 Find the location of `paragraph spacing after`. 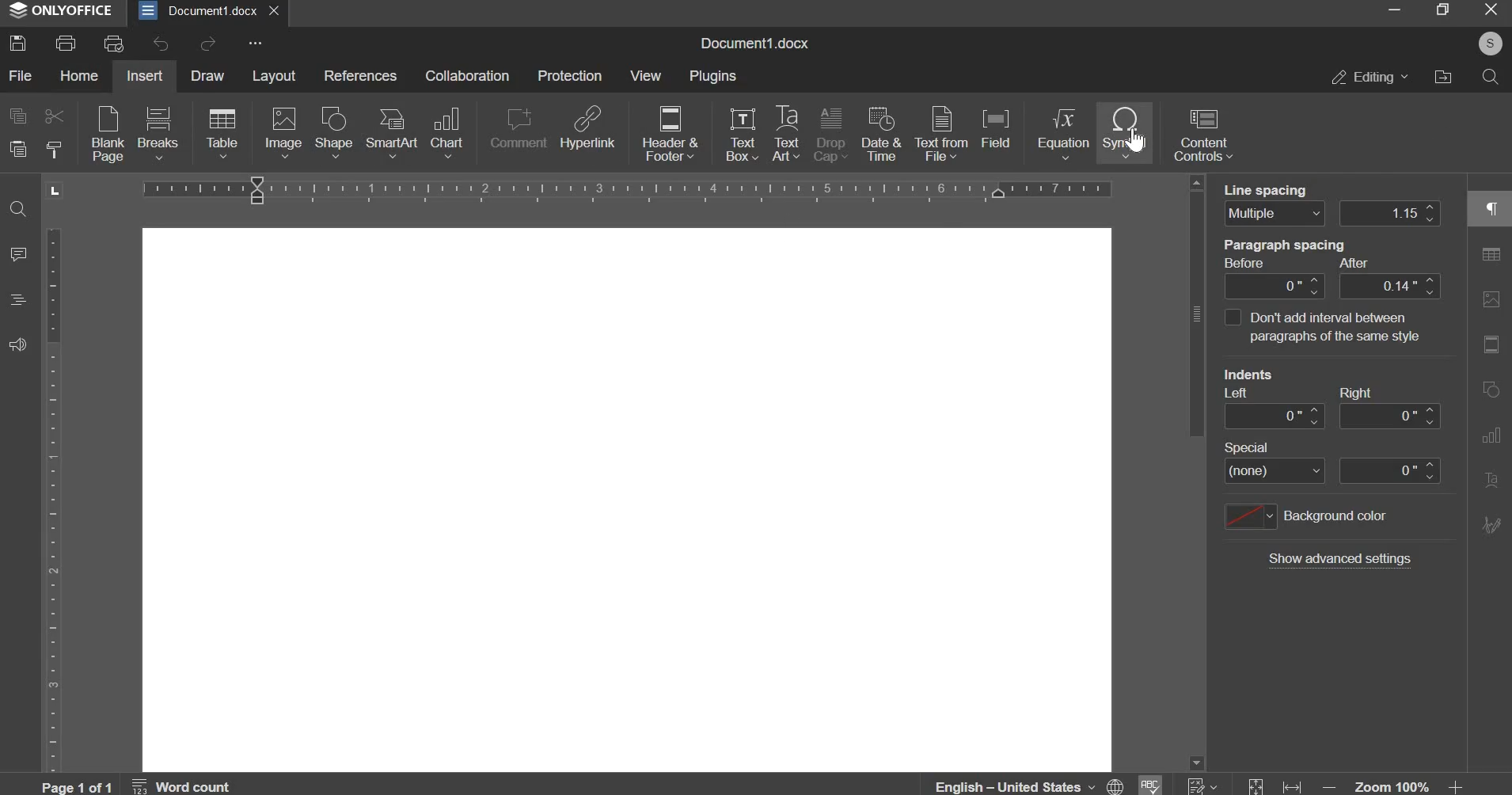

paragraph spacing after is located at coordinates (1275, 285).